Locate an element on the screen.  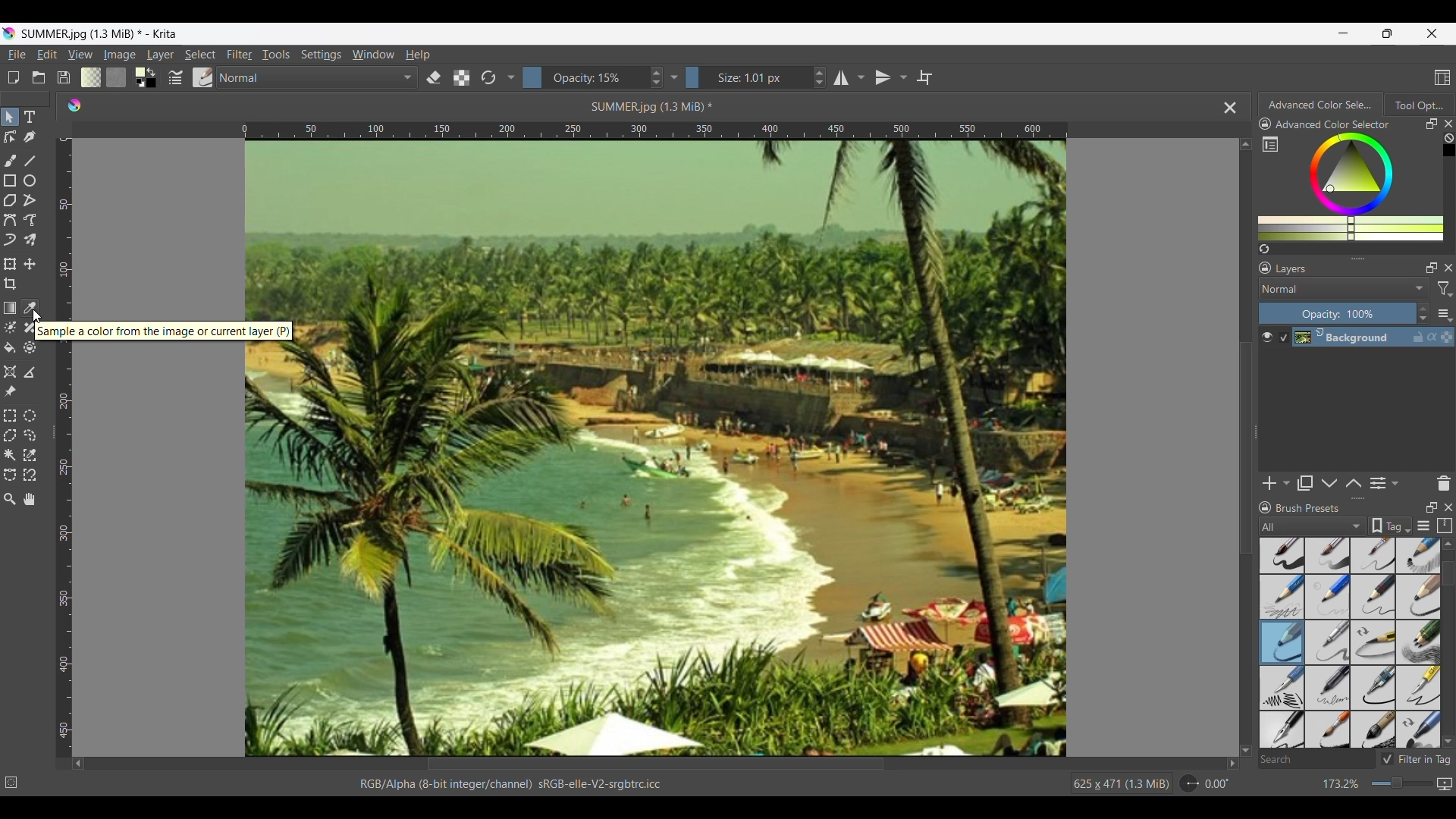
Vertical slide bar for brush is located at coordinates (1448, 574).